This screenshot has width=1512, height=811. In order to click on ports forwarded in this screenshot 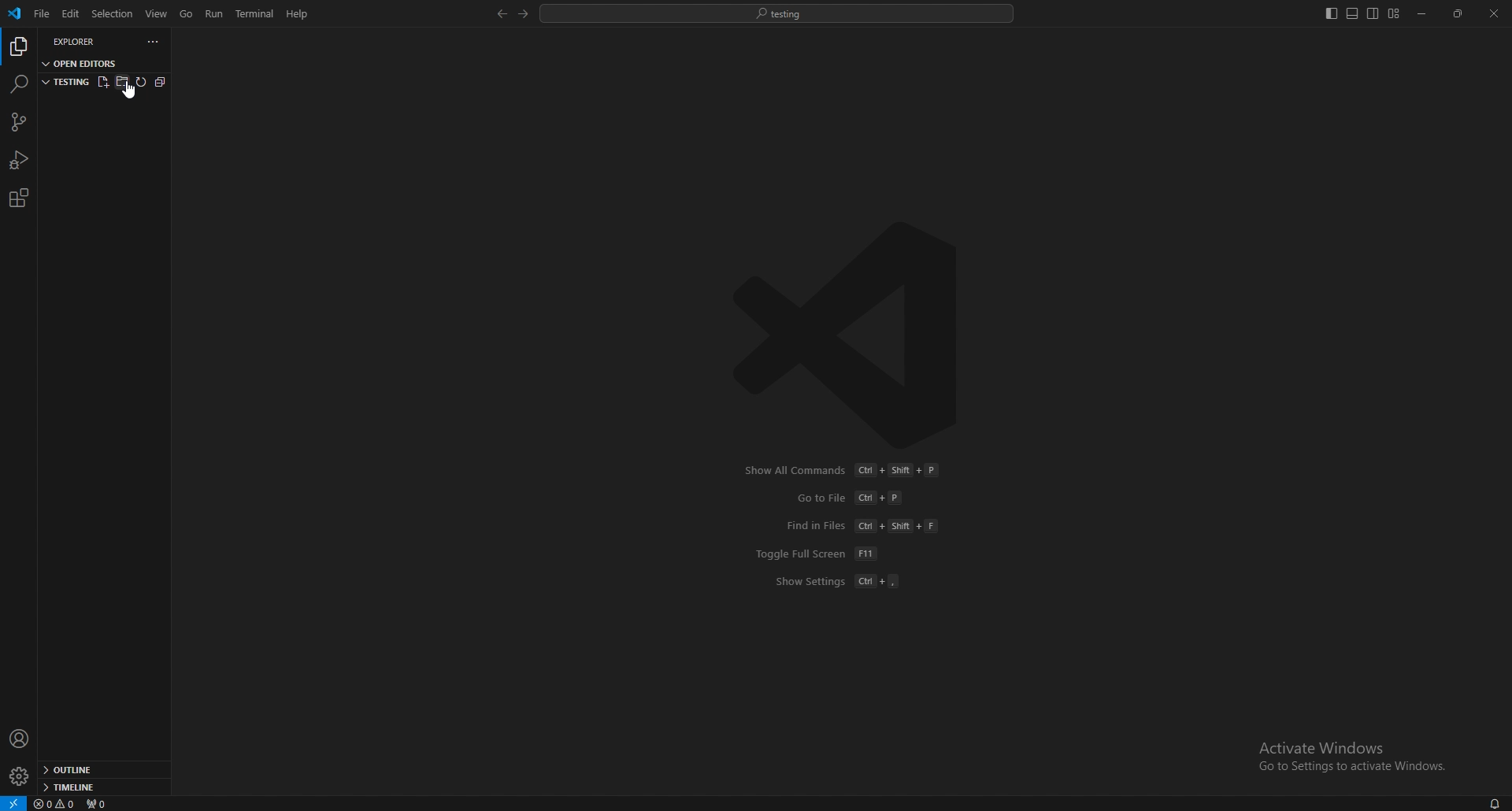, I will do `click(101, 803)`.